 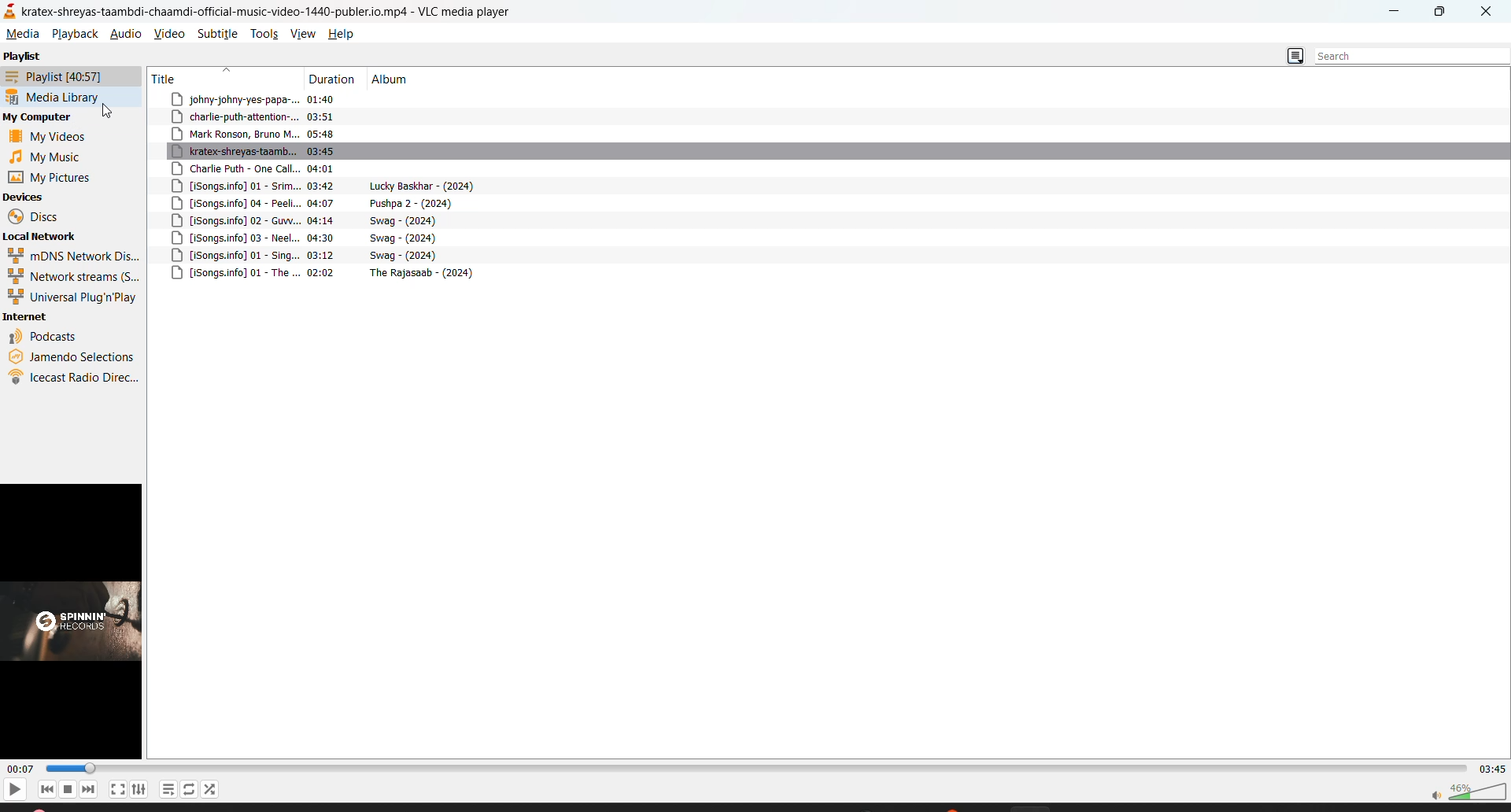 What do you see at coordinates (170, 33) in the screenshot?
I see `video` at bounding box center [170, 33].